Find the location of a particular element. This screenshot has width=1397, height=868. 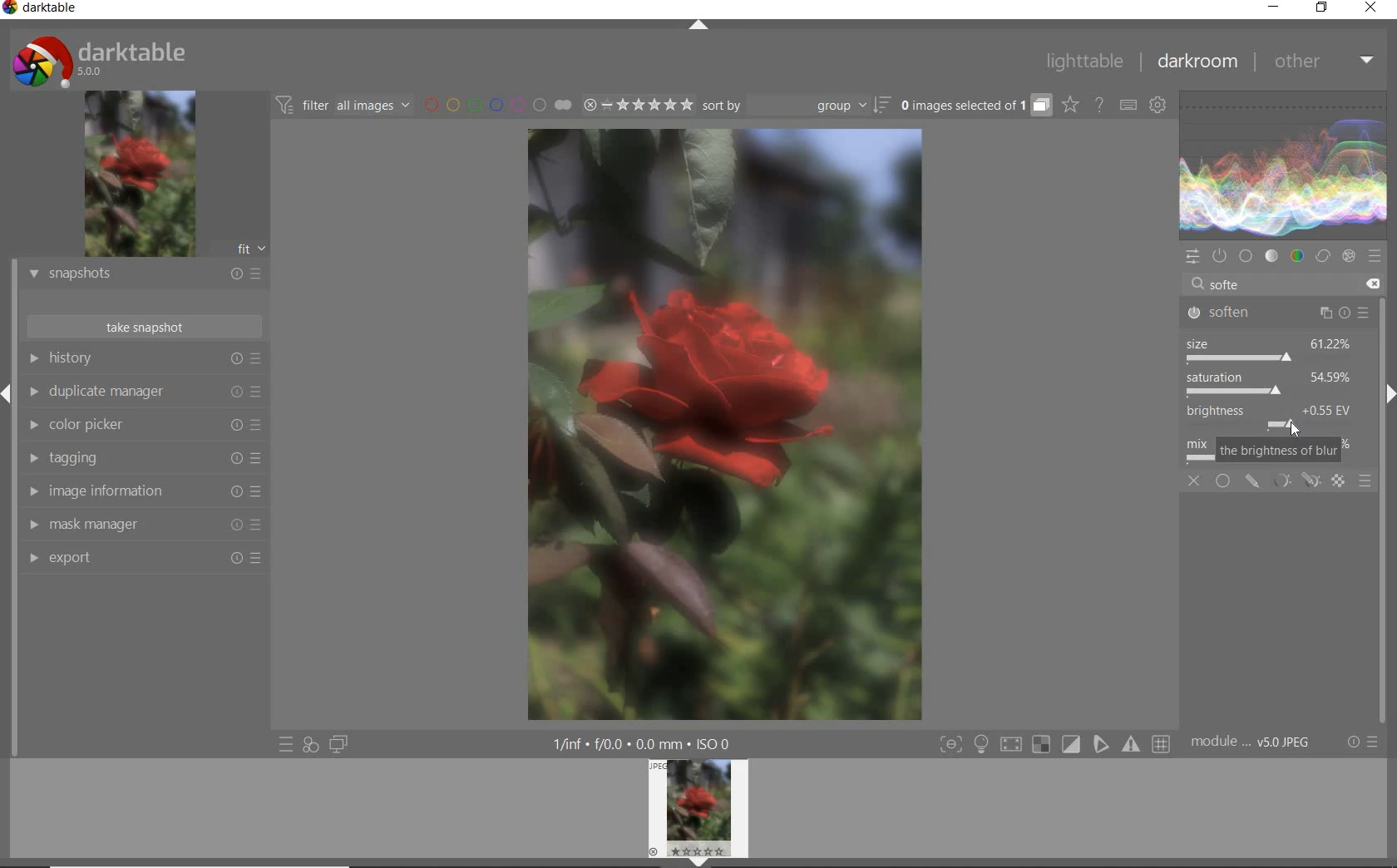

mask options is located at coordinates (1293, 481).